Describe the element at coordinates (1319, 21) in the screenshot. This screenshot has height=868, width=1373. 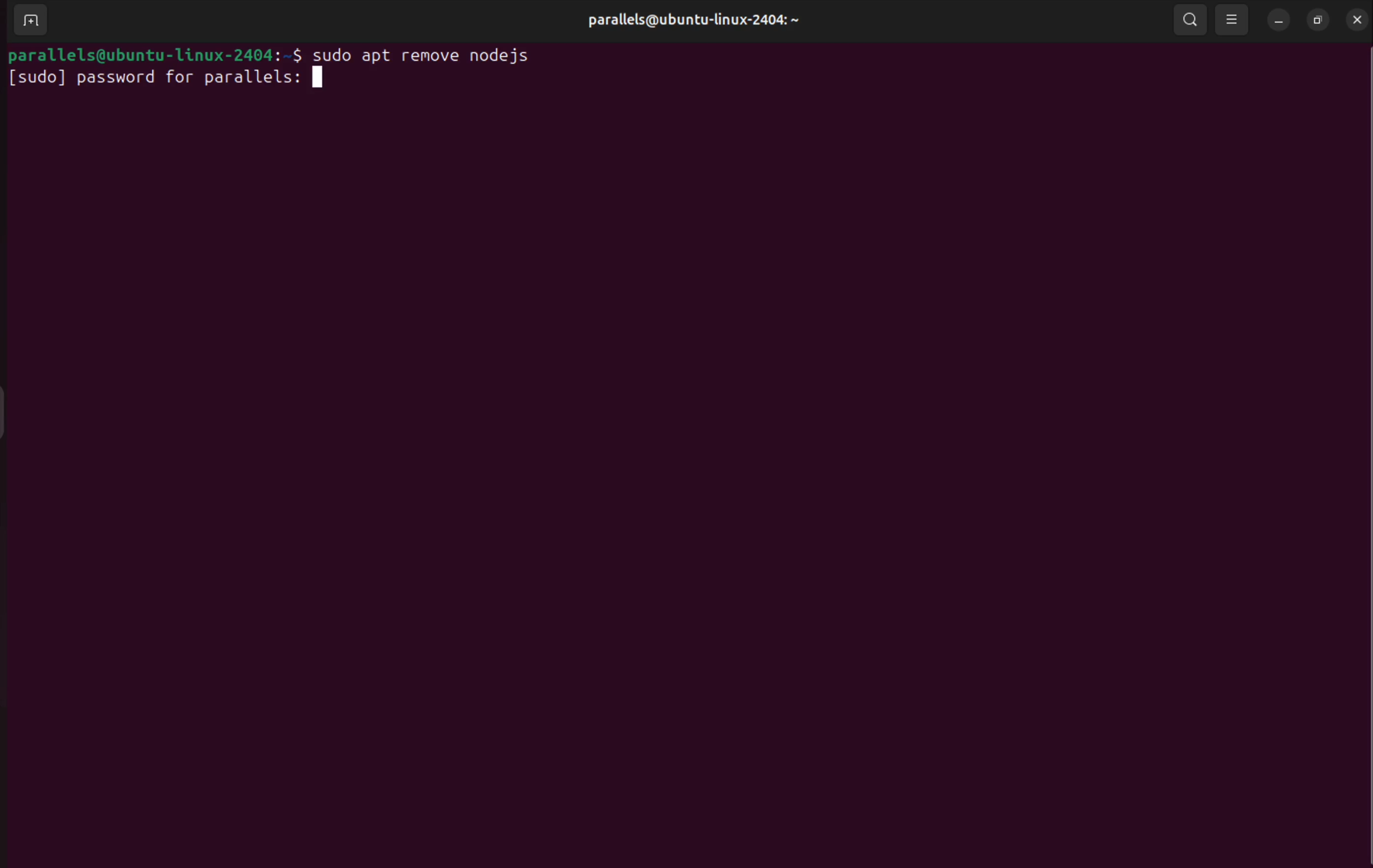
I see `resize` at that location.